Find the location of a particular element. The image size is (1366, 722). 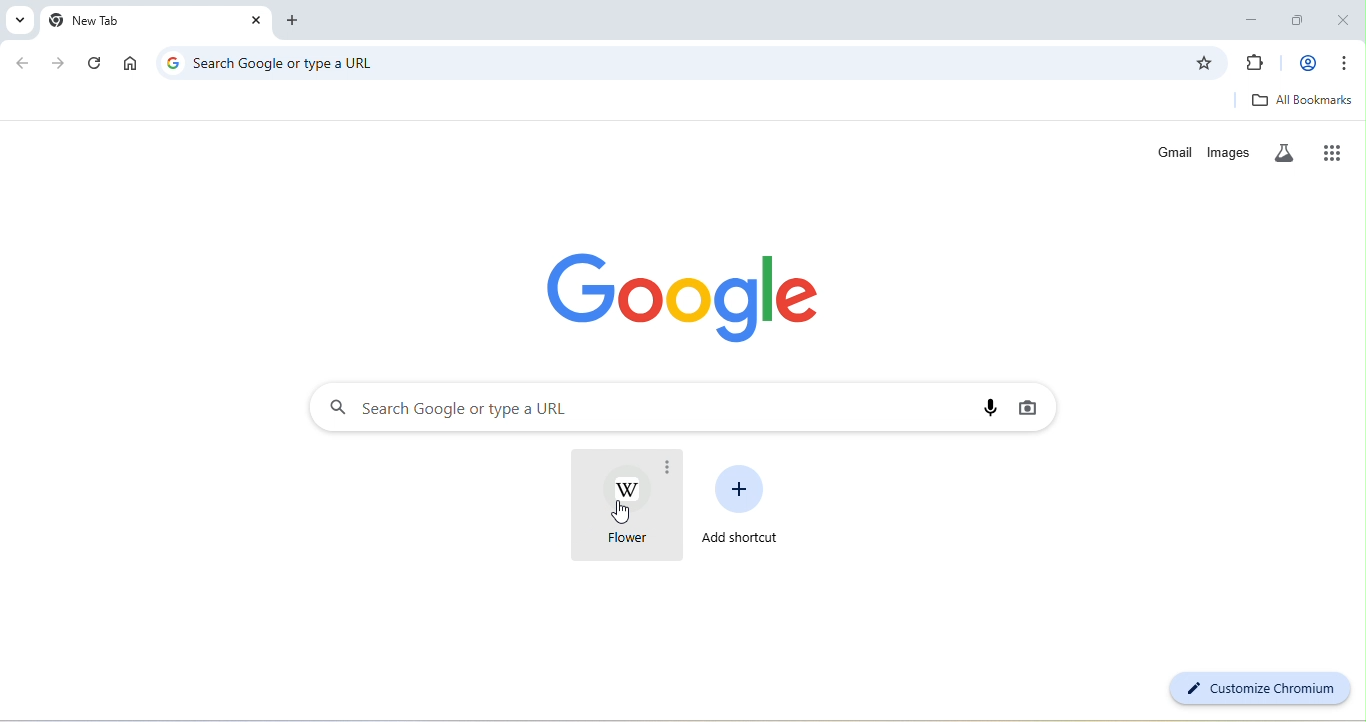

website: wikipedia flower is located at coordinates (620, 507).